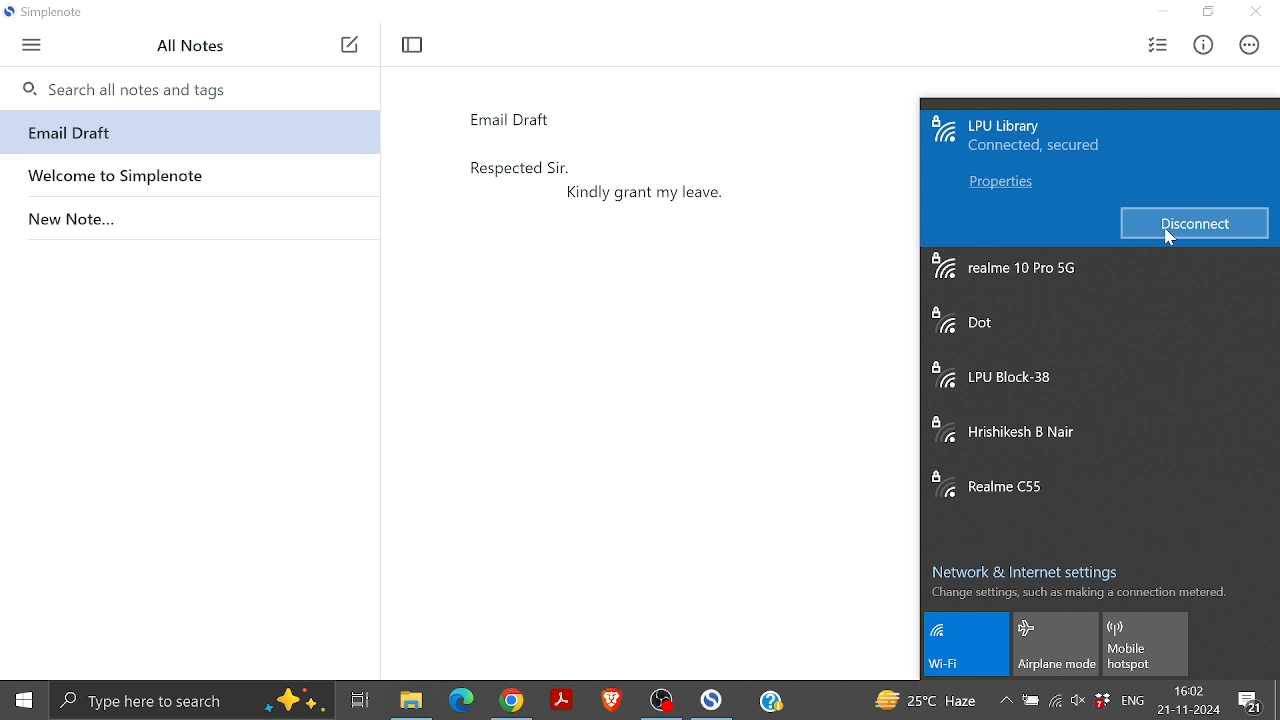  Describe the element at coordinates (349, 46) in the screenshot. I see `Add note` at that location.